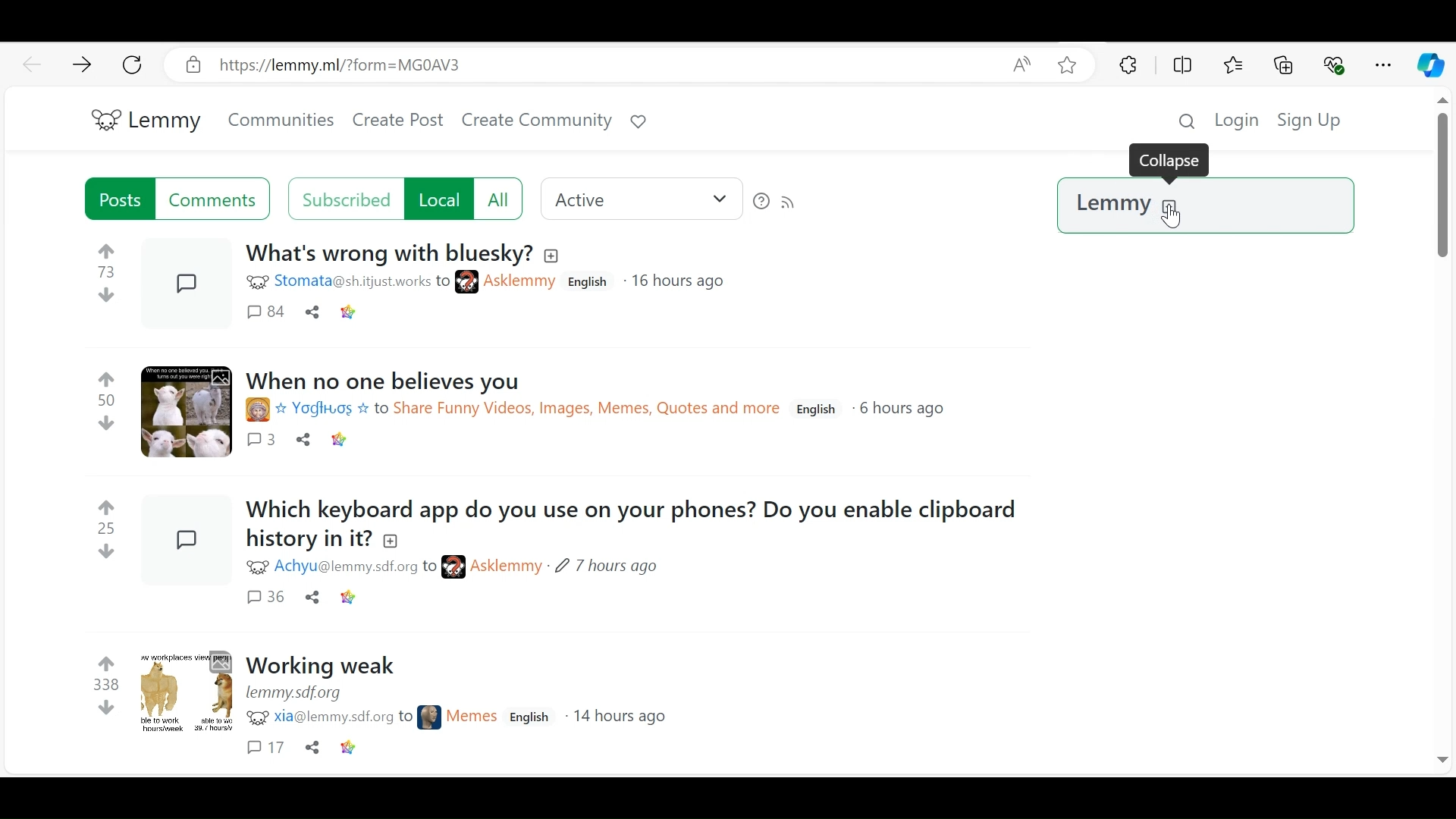 The height and width of the screenshot is (819, 1456). I want to click on Sort Help, so click(761, 201).